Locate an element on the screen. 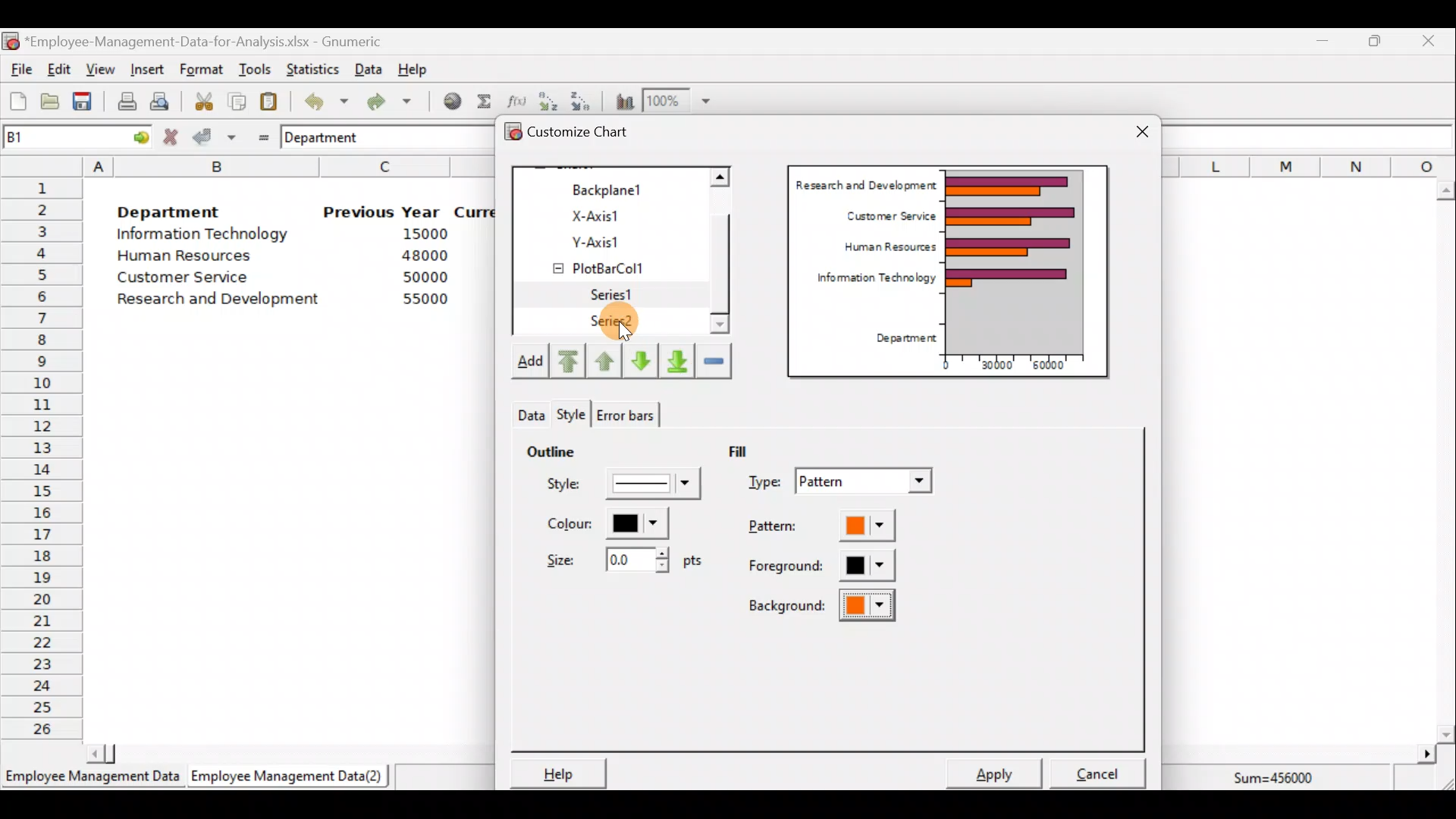 This screenshot has width=1456, height=819. Format is located at coordinates (201, 71).